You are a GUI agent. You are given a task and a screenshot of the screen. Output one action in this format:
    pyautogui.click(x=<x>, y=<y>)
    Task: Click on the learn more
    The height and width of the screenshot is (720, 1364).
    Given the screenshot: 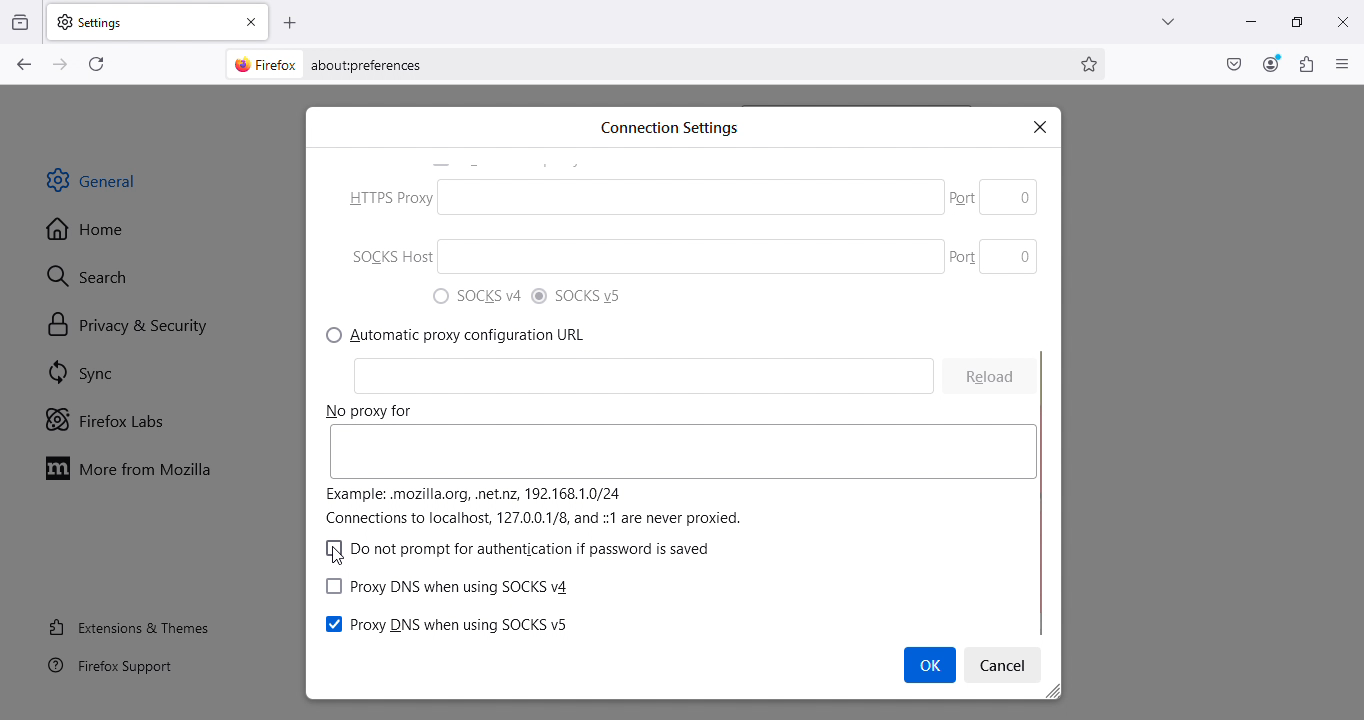 What is the action you would take?
    pyautogui.click(x=546, y=521)
    